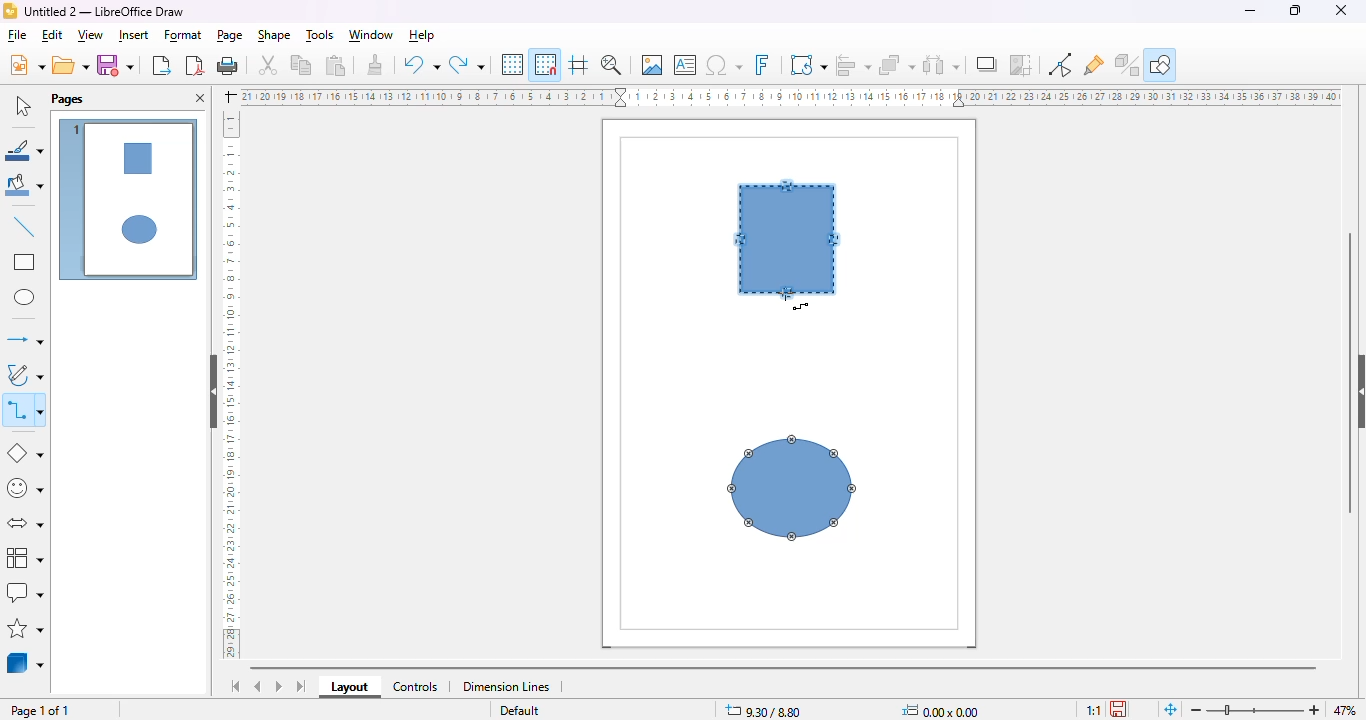 This screenshot has width=1366, height=720. I want to click on insert text box, so click(685, 64).